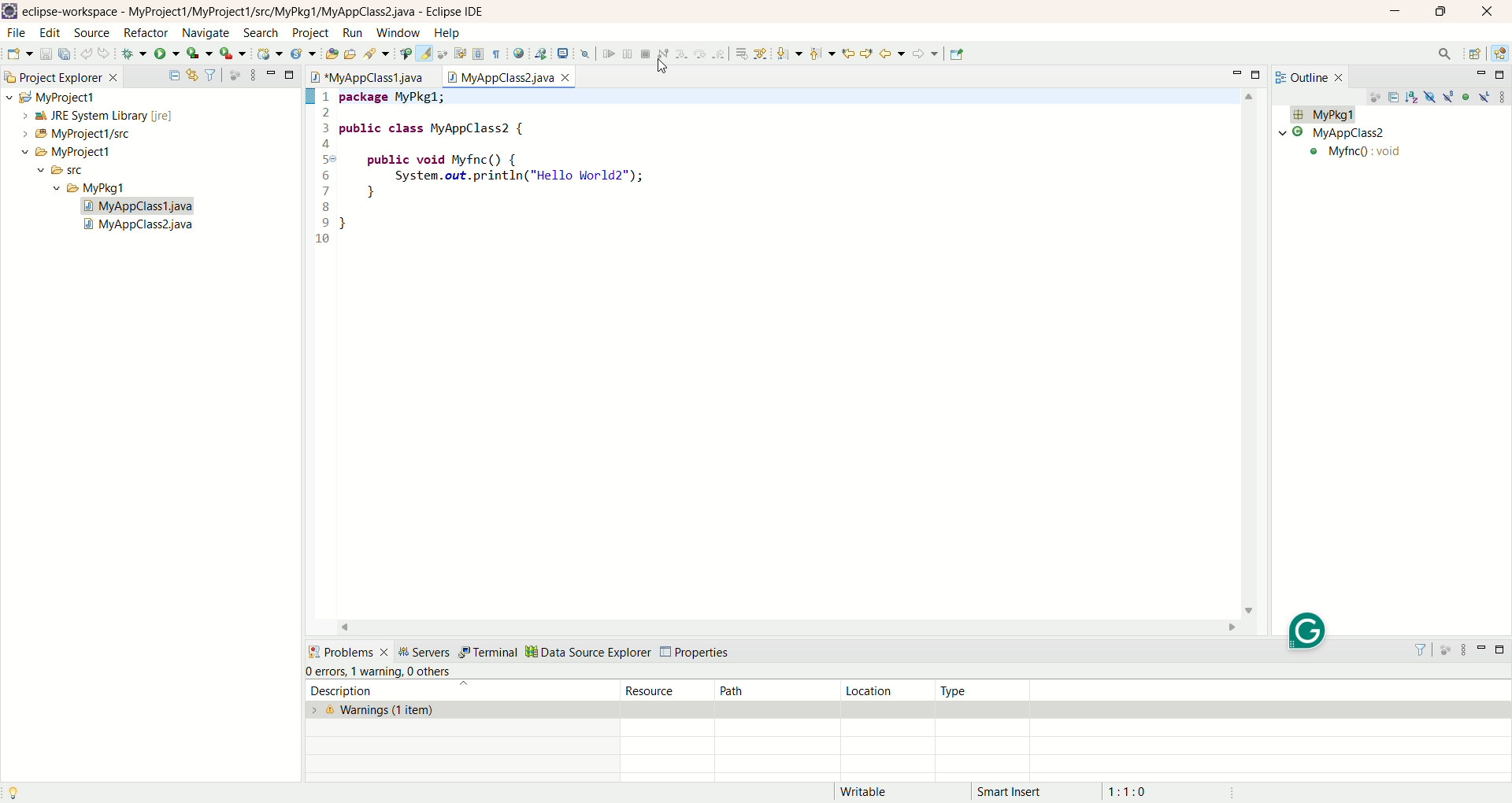 This screenshot has width=1512, height=803. I want to click on toggle block selection mode, so click(479, 55).